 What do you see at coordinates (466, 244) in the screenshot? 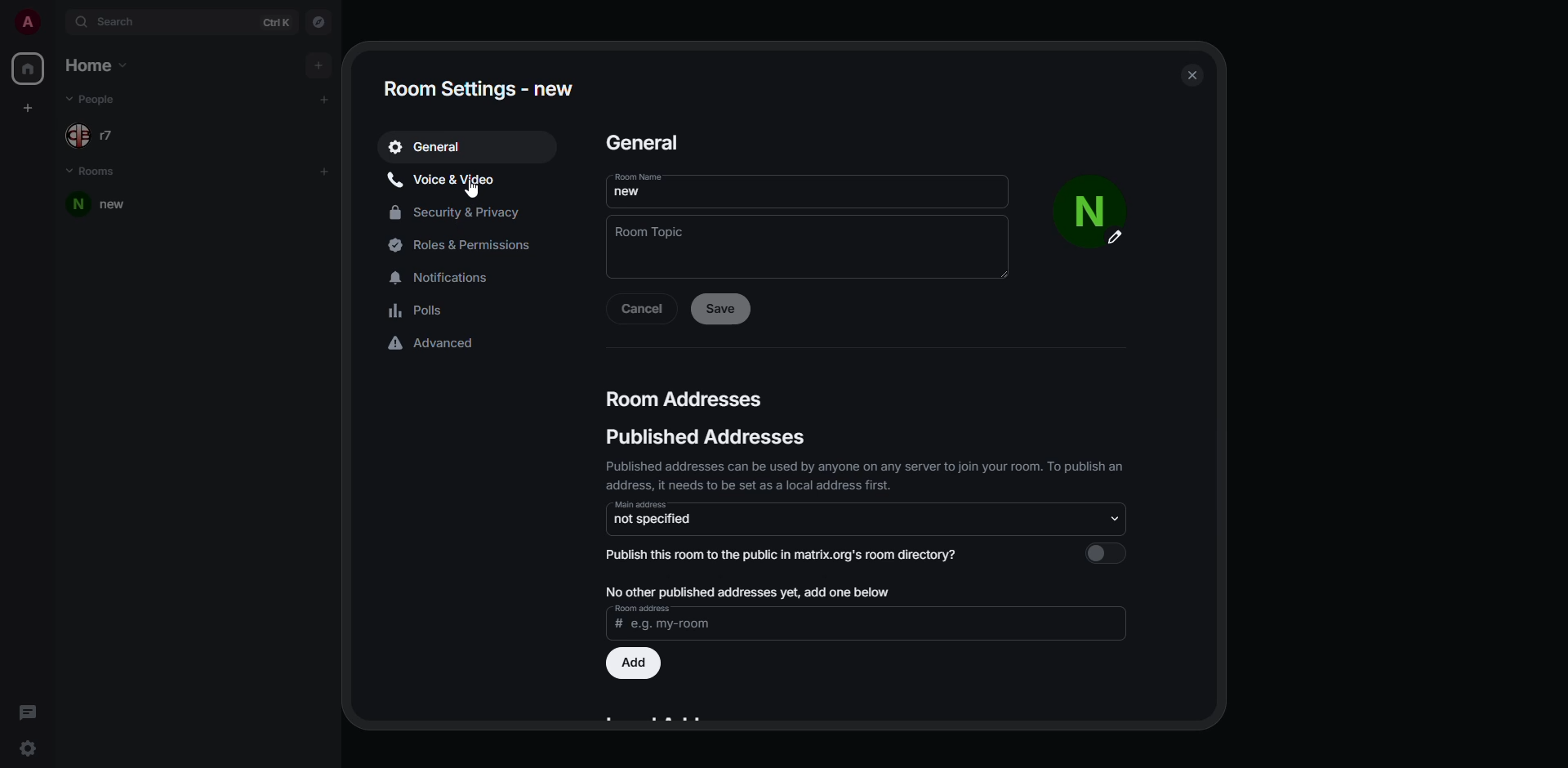
I see `roles & permissions` at bounding box center [466, 244].